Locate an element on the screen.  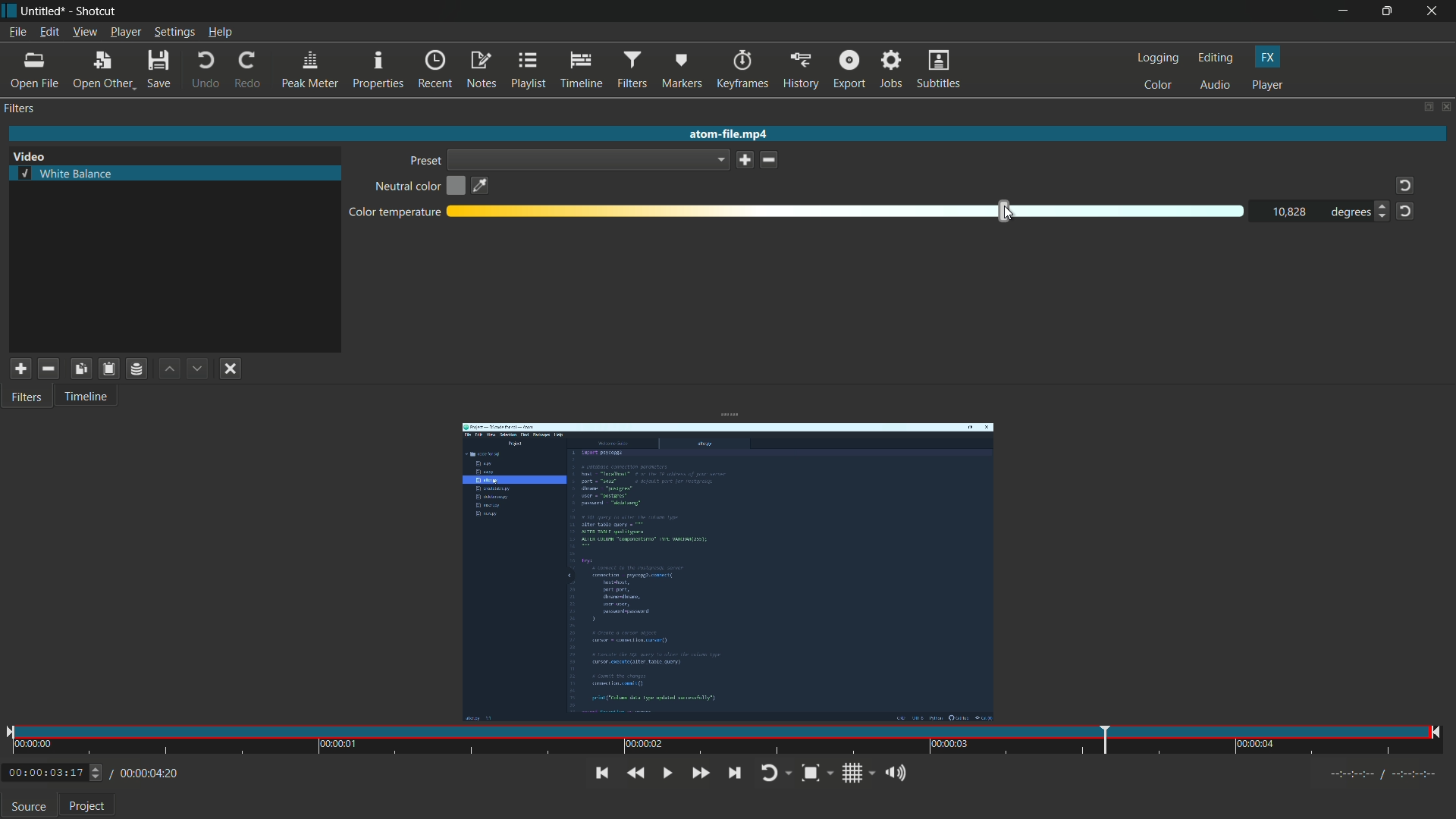
white balance filter selected is located at coordinates (66, 173).